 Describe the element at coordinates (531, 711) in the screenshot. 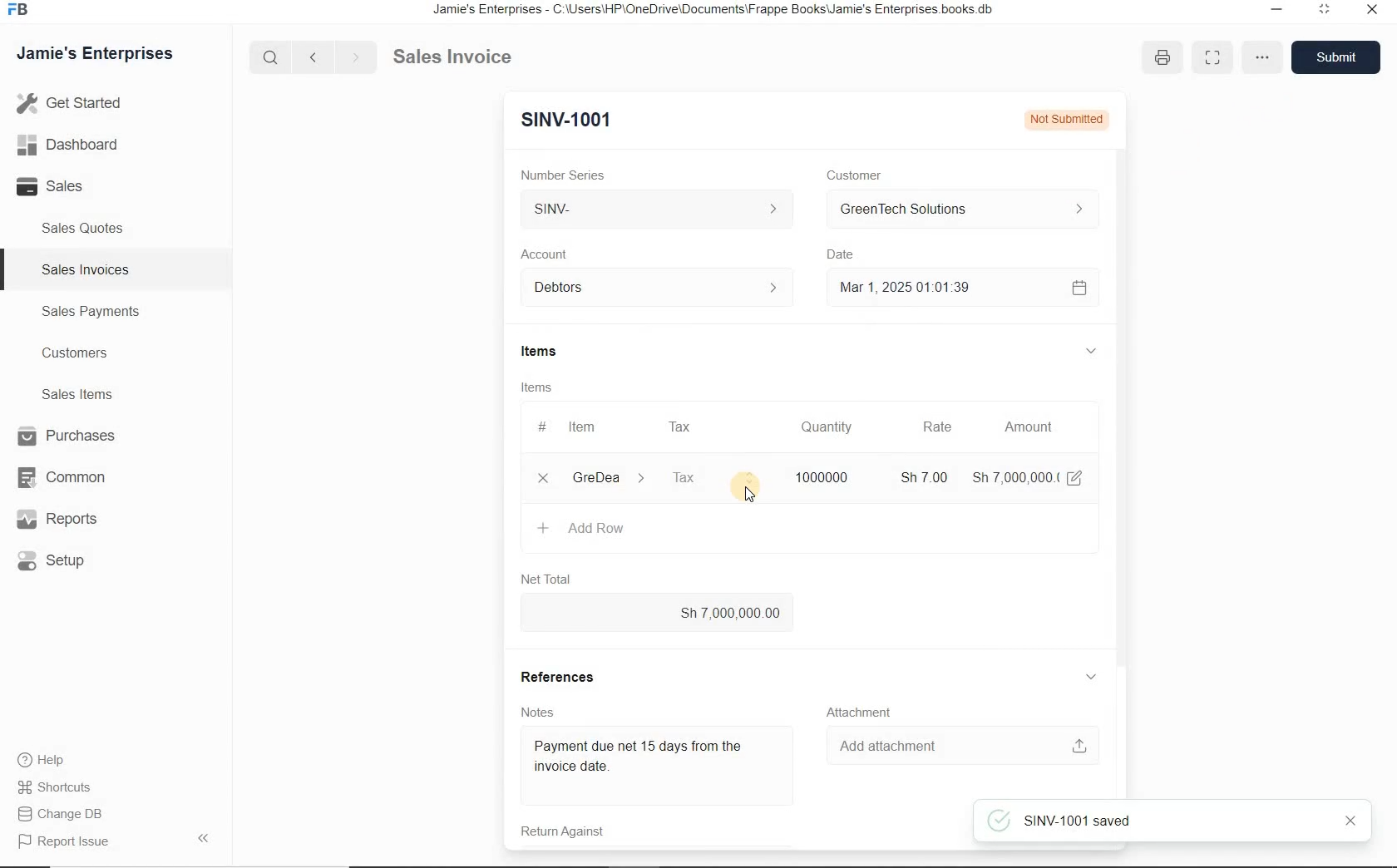

I see `Notes` at that location.